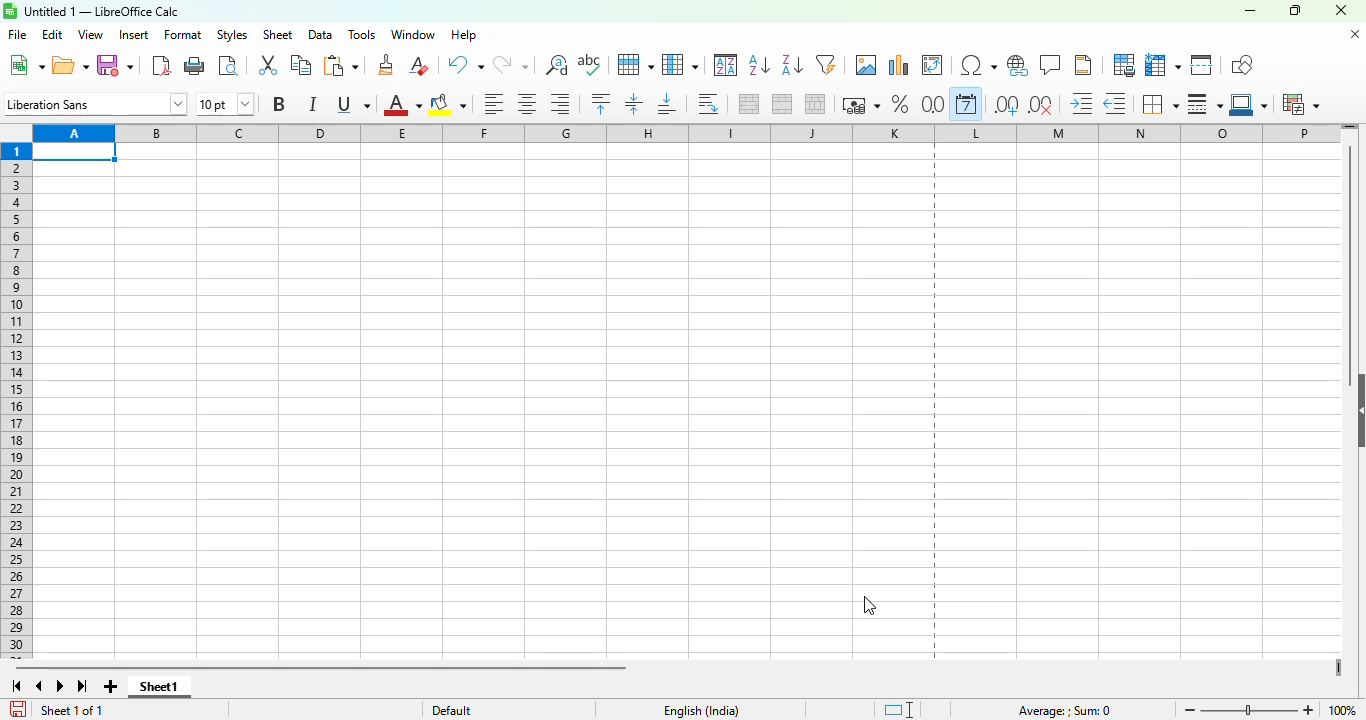 The height and width of the screenshot is (720, 1366). What do you see at coordinates (759, 66) in the screenshot?
I see `sort ascending` at bounding box center [759, 66].